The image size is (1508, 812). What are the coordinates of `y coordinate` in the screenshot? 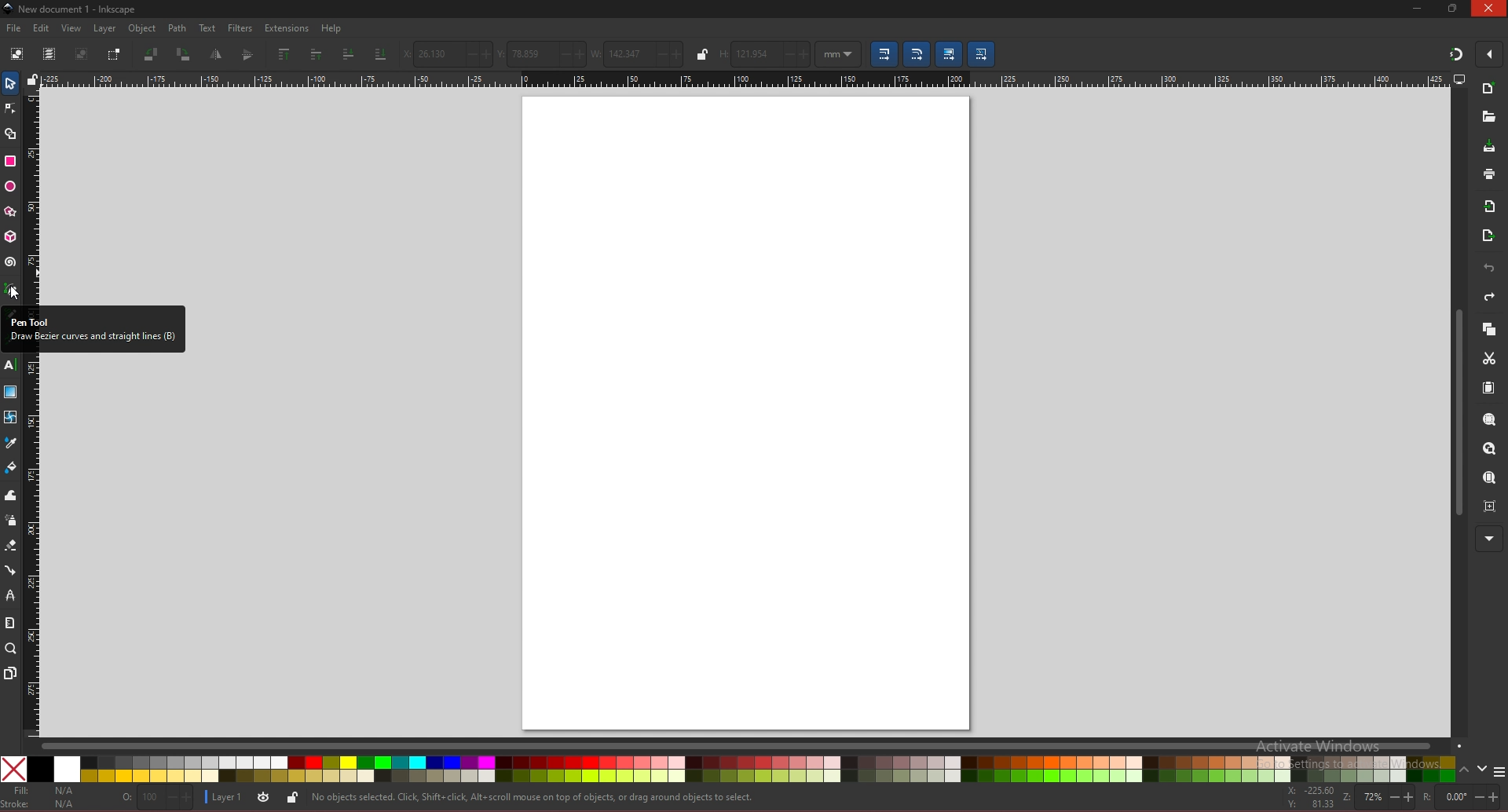 It's located at (542, 53).